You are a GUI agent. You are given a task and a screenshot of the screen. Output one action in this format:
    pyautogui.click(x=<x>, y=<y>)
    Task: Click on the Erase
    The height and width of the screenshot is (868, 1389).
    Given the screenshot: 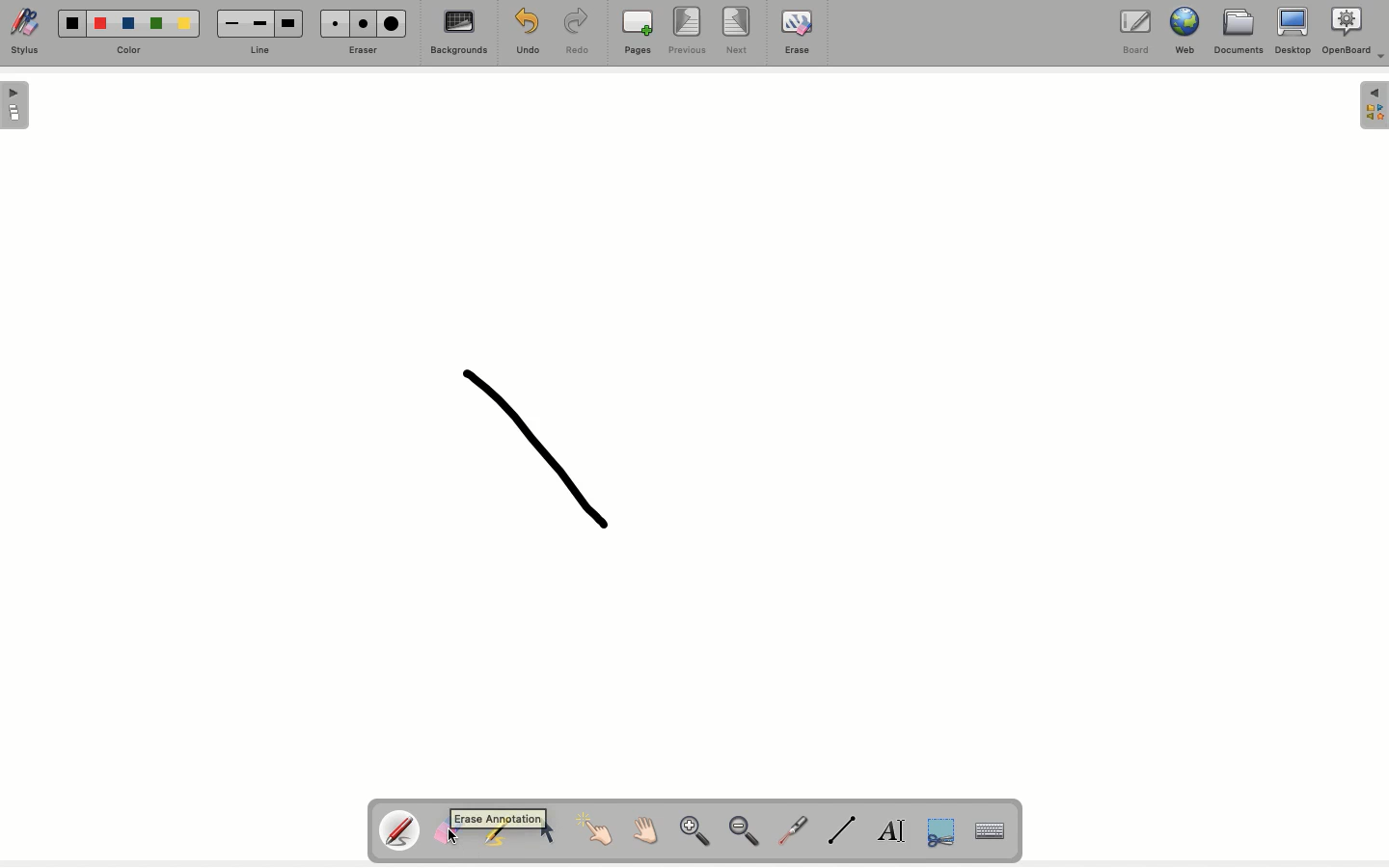 What is the action you would take?
    pyautogui.click(x=797, y=35)
    